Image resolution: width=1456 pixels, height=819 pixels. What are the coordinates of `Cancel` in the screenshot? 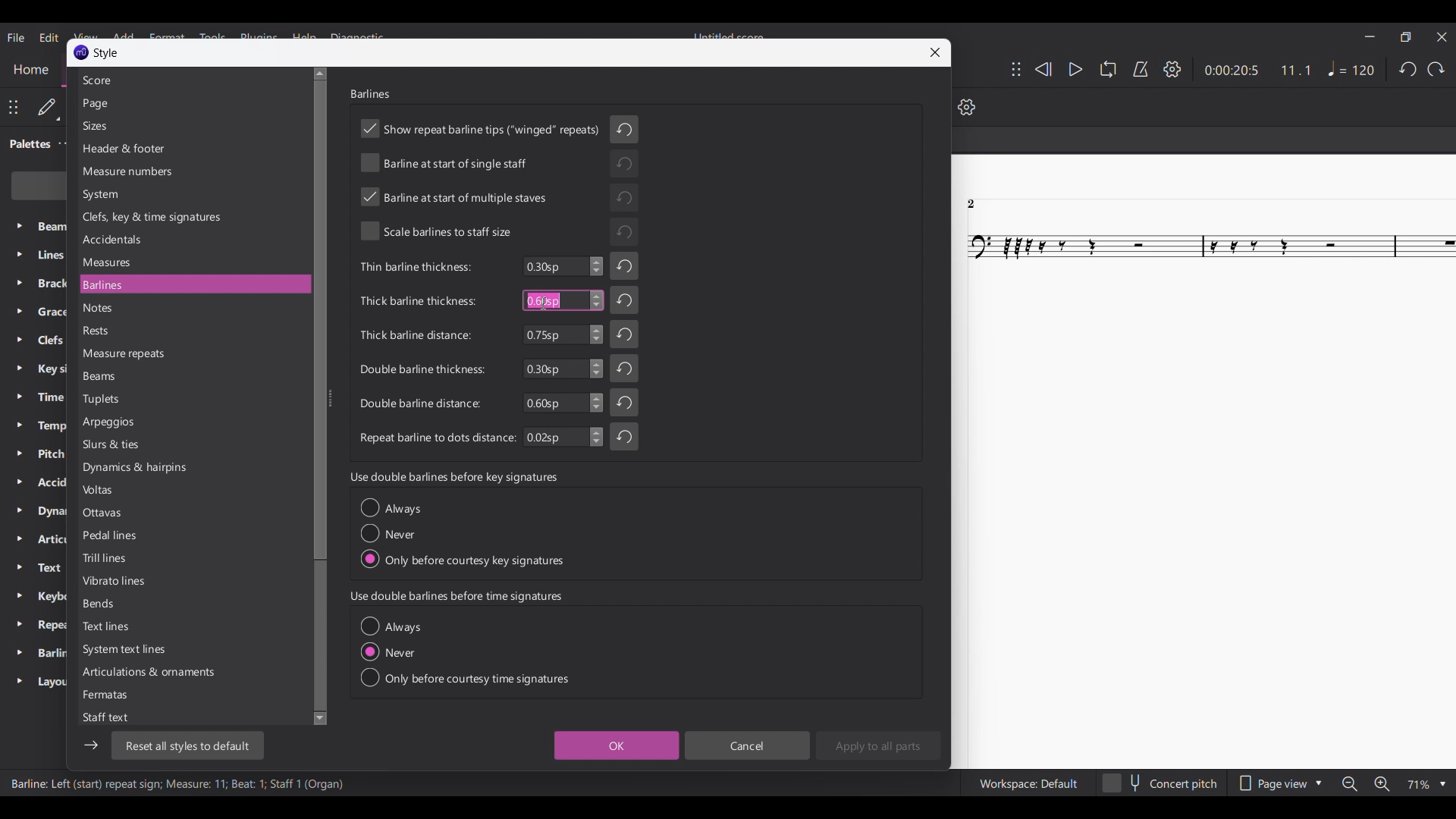 It's located at (748, 745).